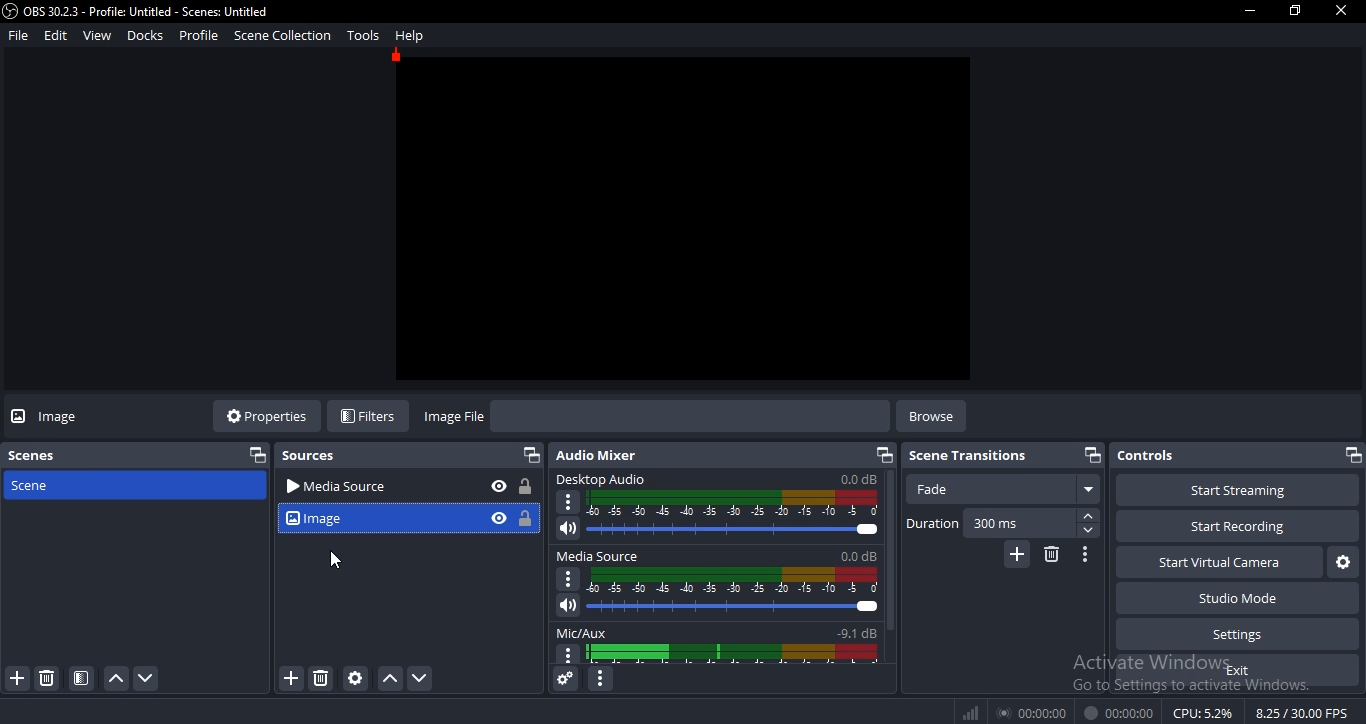 The width and height of the screenshot is (1366, 724). What do you see at coordinates (281, 35) in the screenshot?
I see `scene collection` at bounding box center [281, 35].